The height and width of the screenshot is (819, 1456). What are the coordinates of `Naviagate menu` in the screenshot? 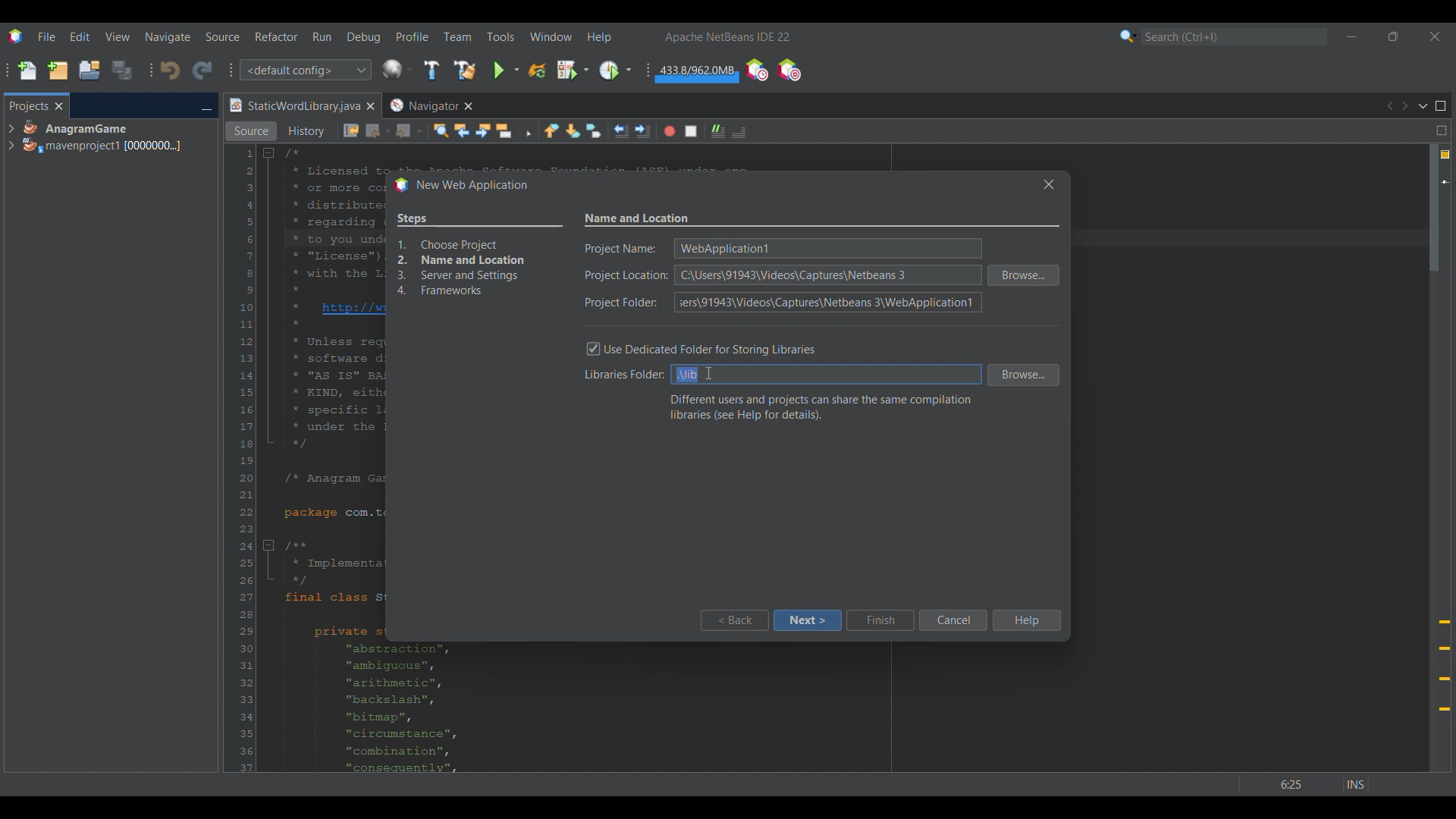 It's located at (168, 37).